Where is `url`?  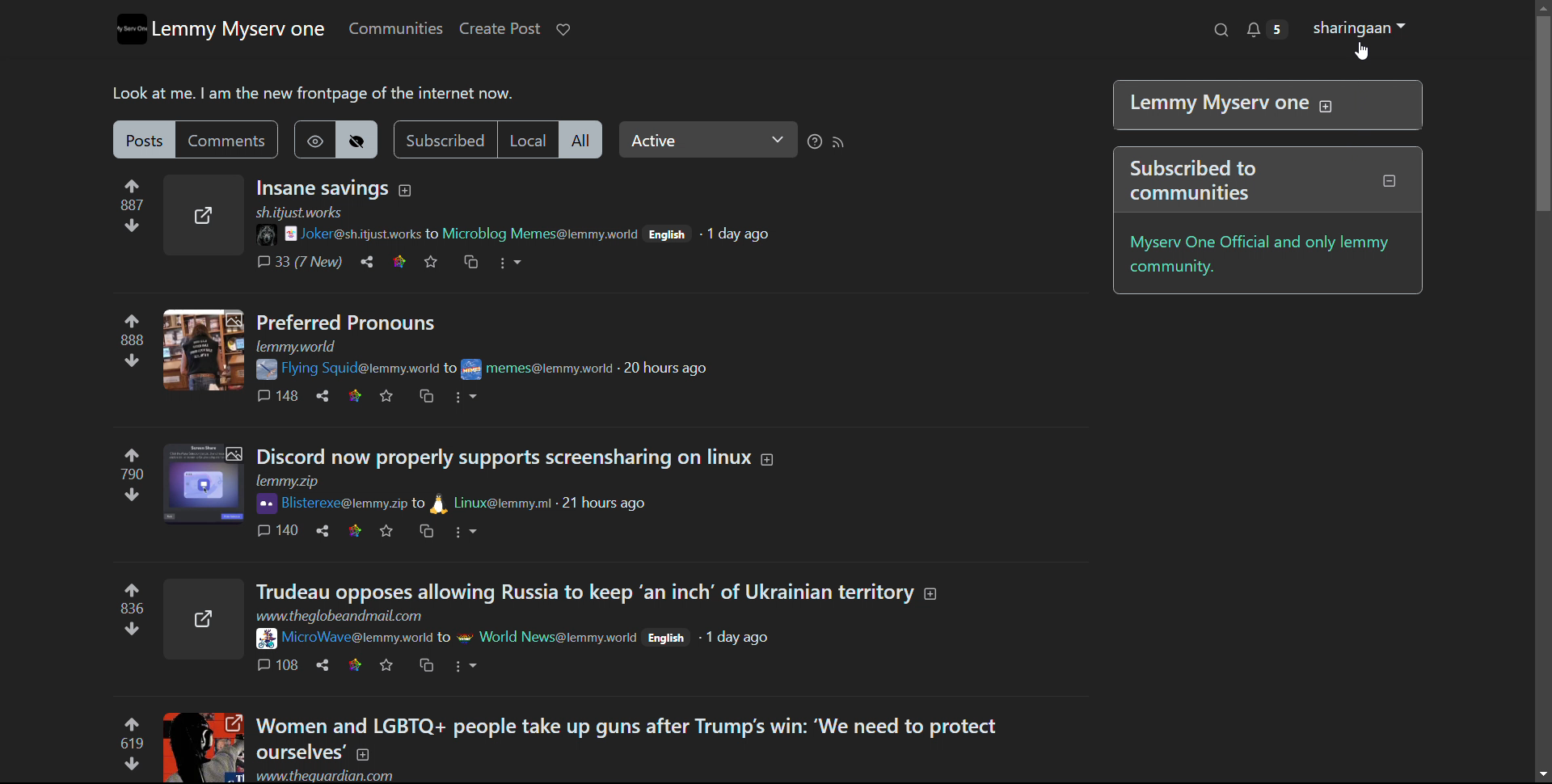 url is located at coordinates (297, 347).